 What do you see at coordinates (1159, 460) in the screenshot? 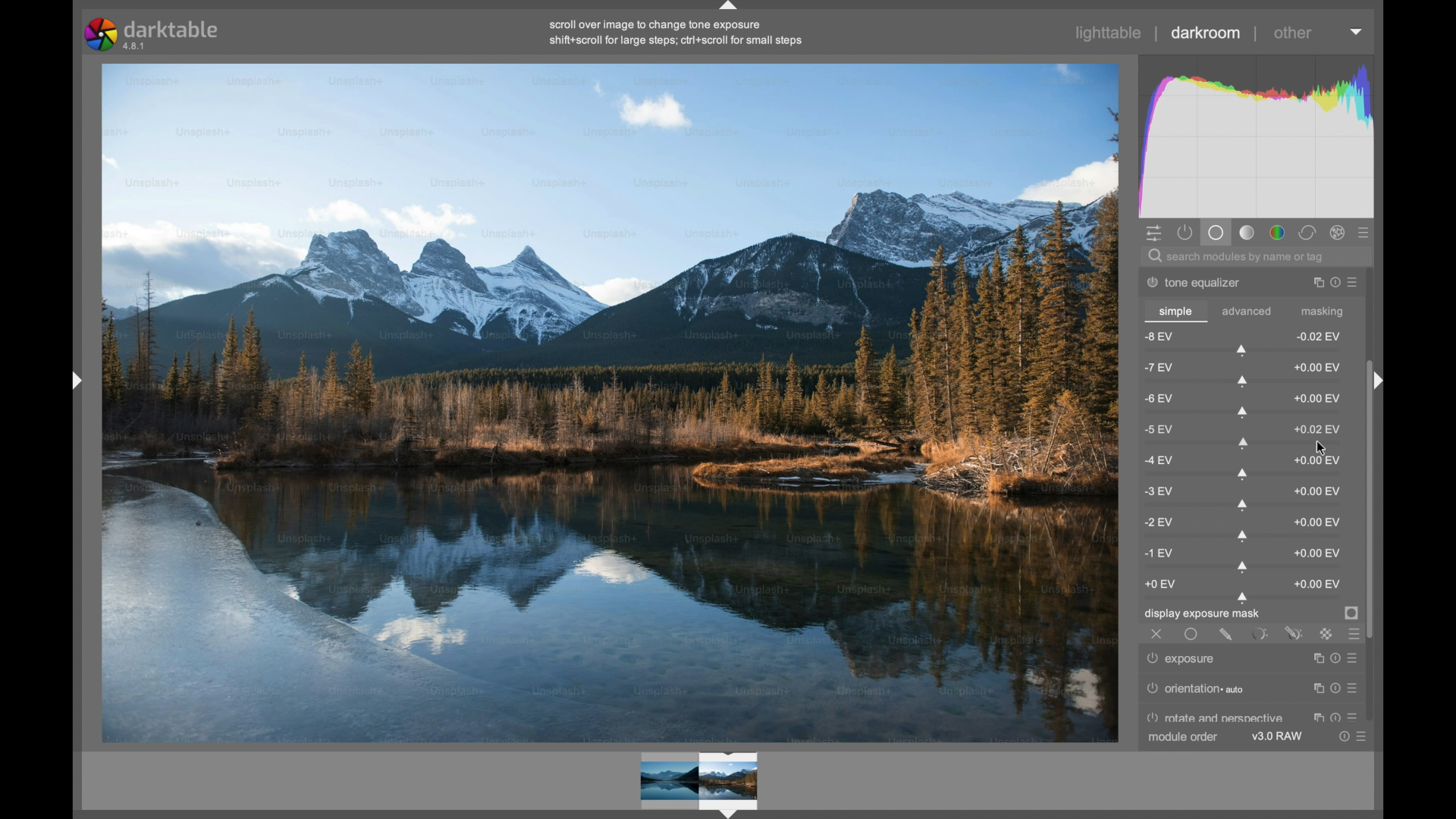
I see `-4 ev` at bounding box center [1159, 460].